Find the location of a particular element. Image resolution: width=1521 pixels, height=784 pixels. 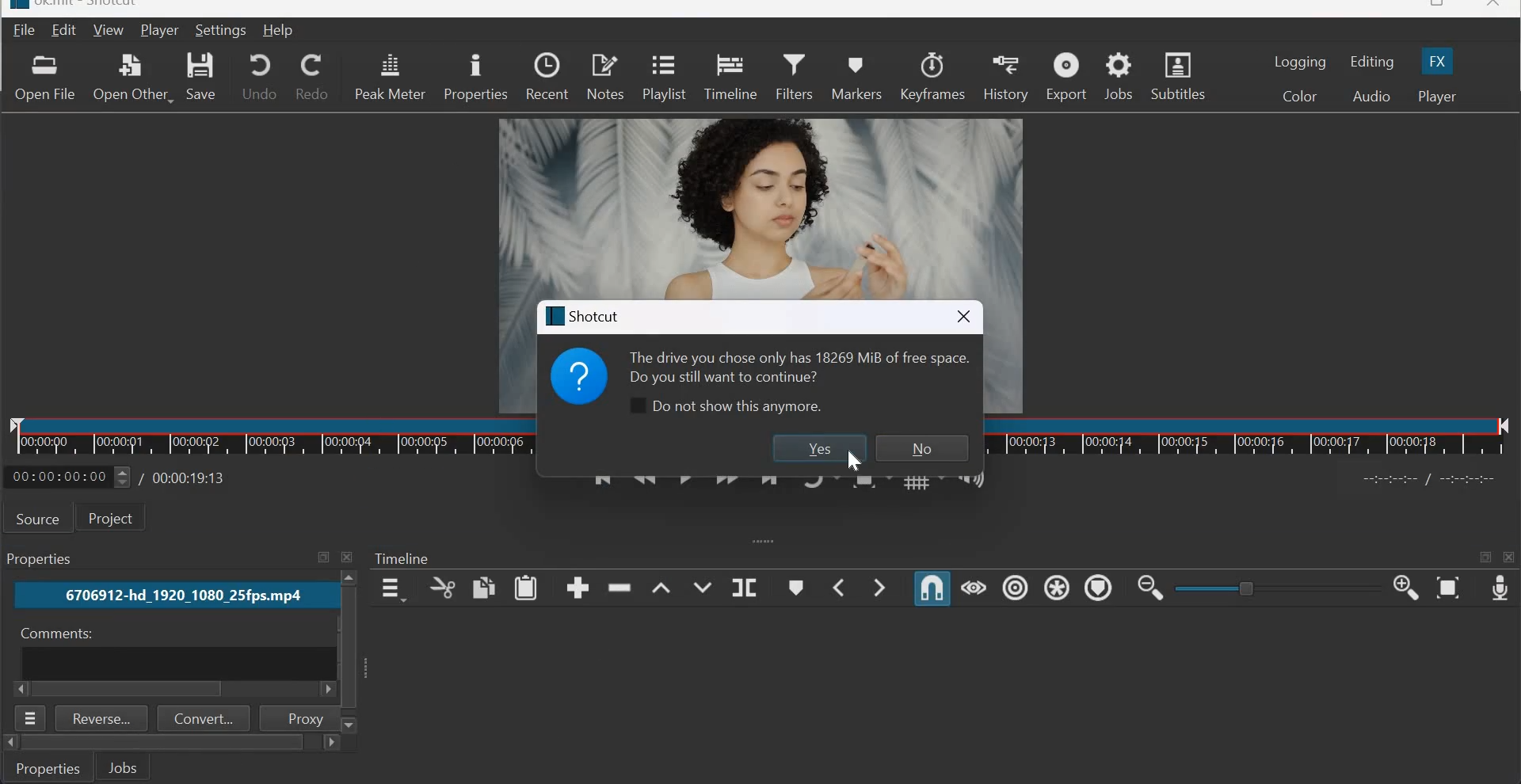

Zoom Timeline to Fit is located at coordinates (1448, 589).